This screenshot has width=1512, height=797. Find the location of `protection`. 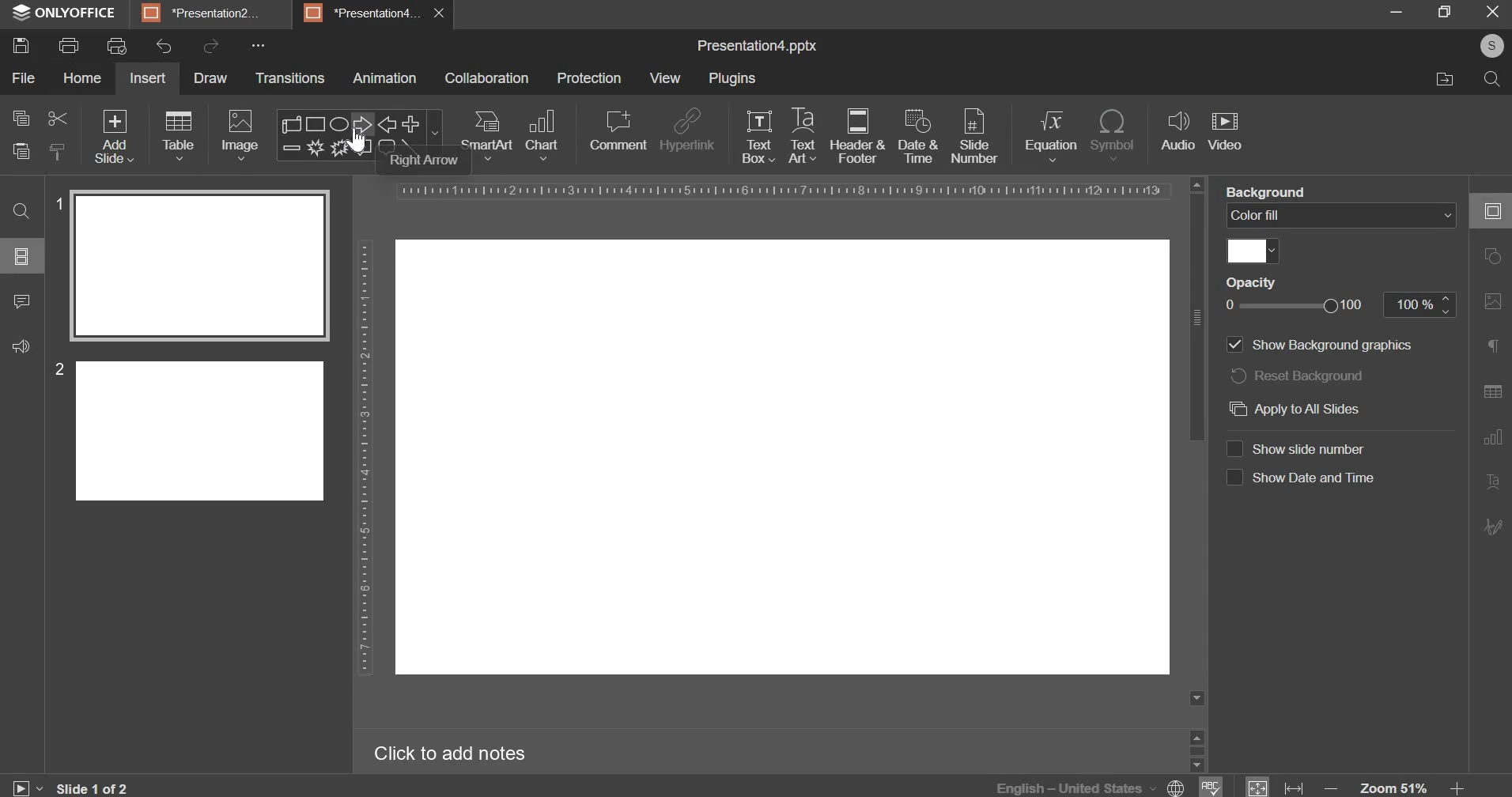

protection is located at coordinates (589, 79).